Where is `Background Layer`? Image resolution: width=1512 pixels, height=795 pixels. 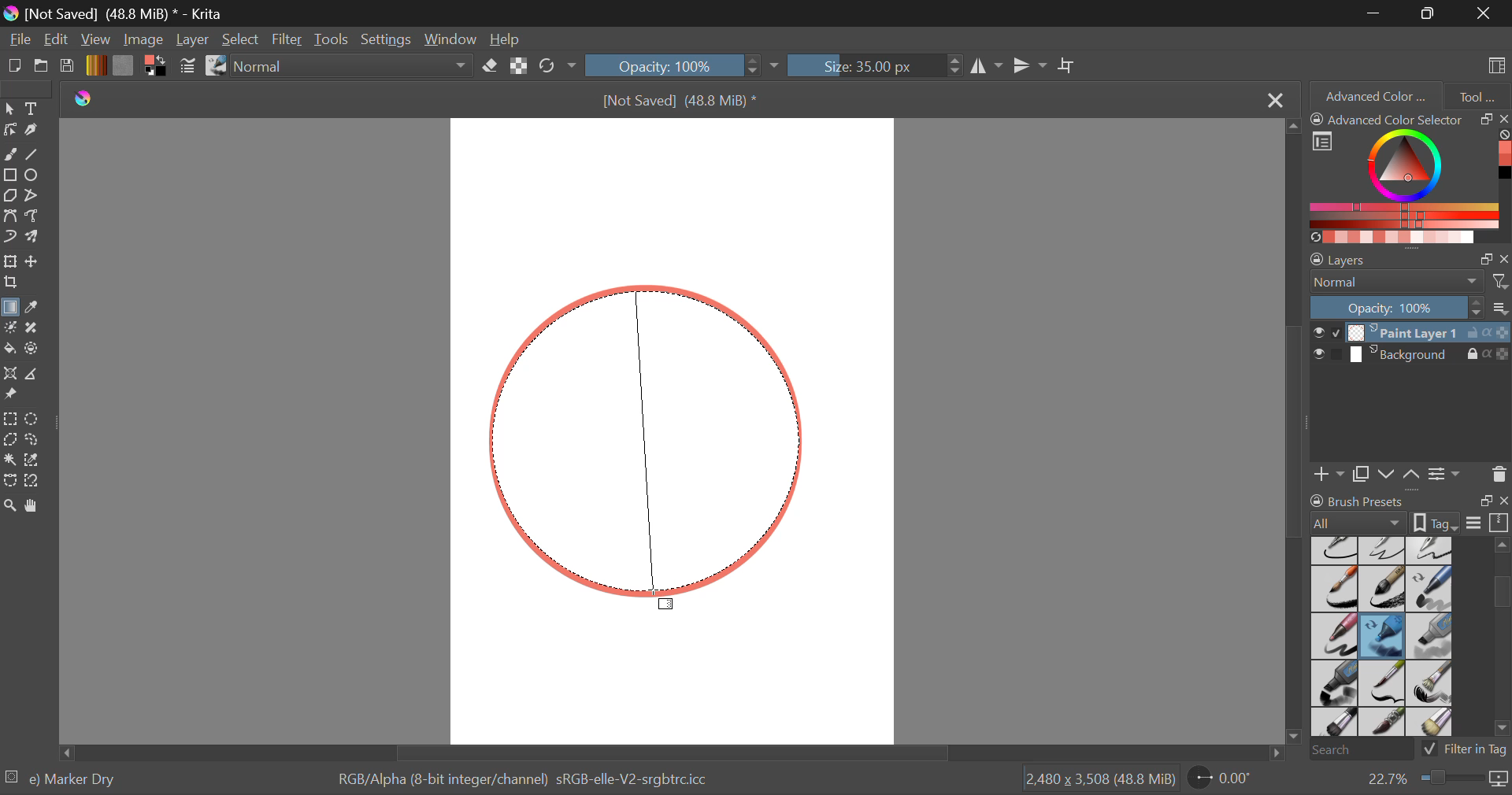
Background Layer is located at coordinates (1410, 357).